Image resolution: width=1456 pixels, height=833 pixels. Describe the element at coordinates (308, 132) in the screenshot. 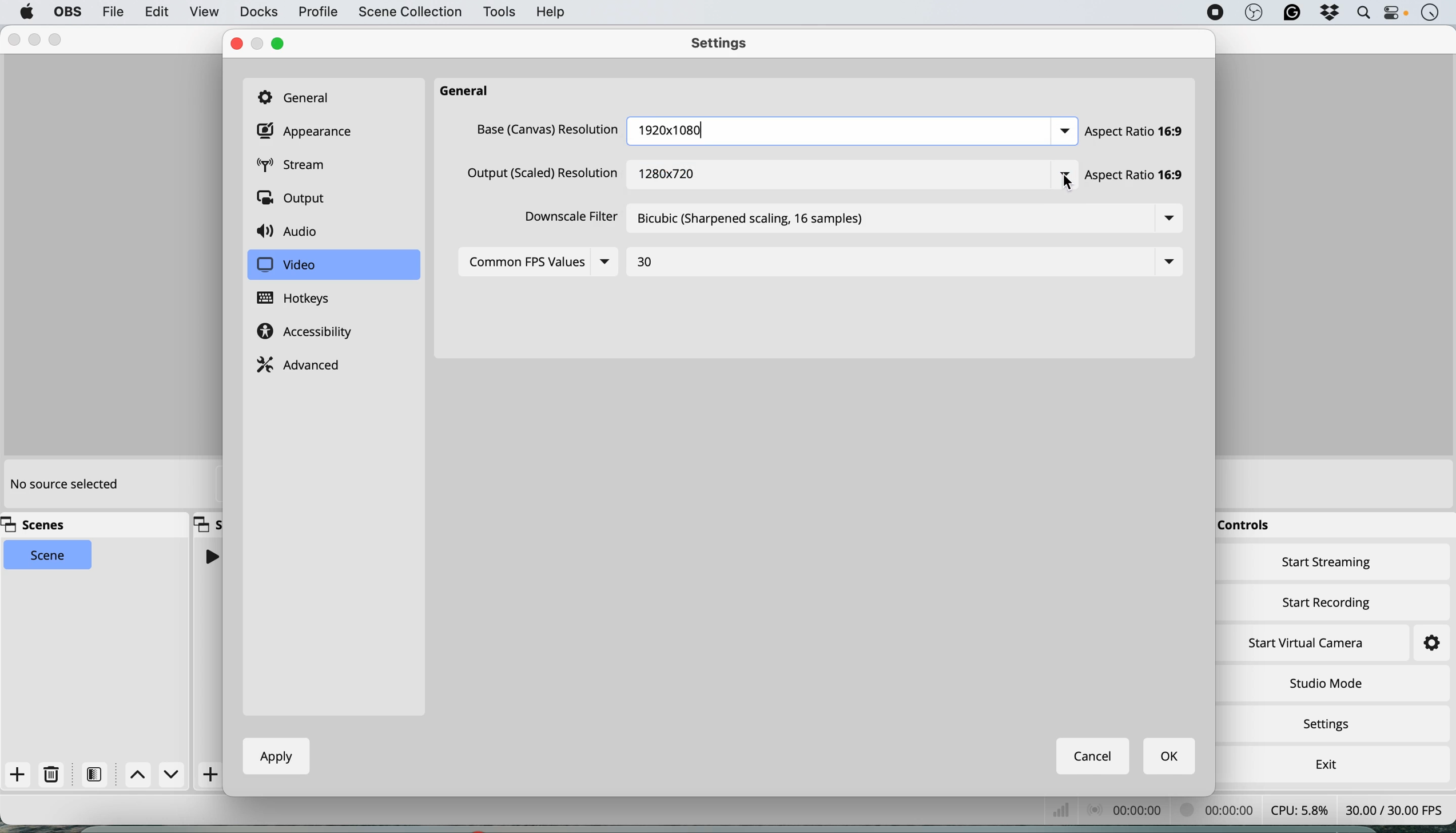

I see `appearance` at that location.